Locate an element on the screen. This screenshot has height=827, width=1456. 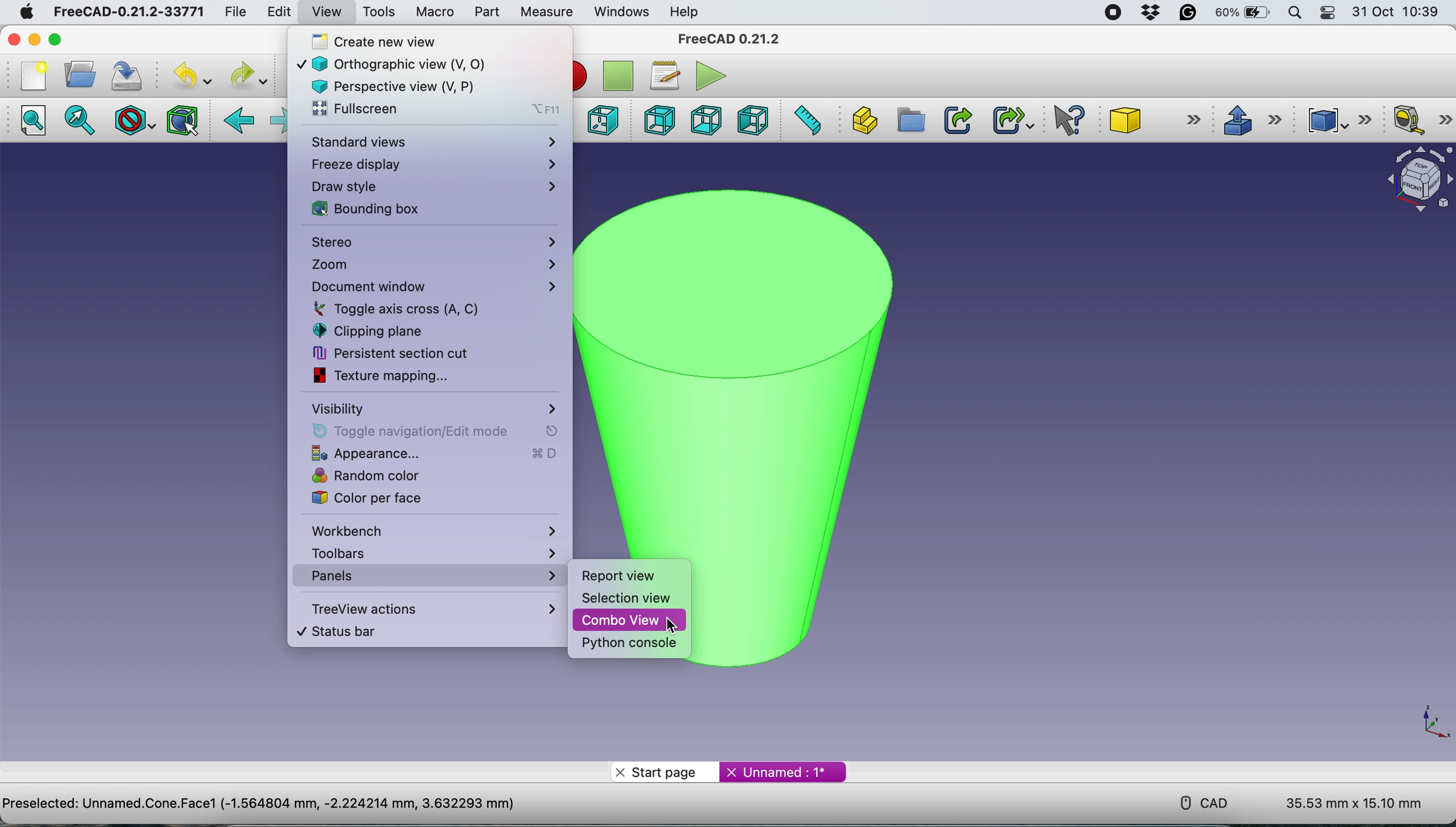
save is located at coordinates (127, 75).